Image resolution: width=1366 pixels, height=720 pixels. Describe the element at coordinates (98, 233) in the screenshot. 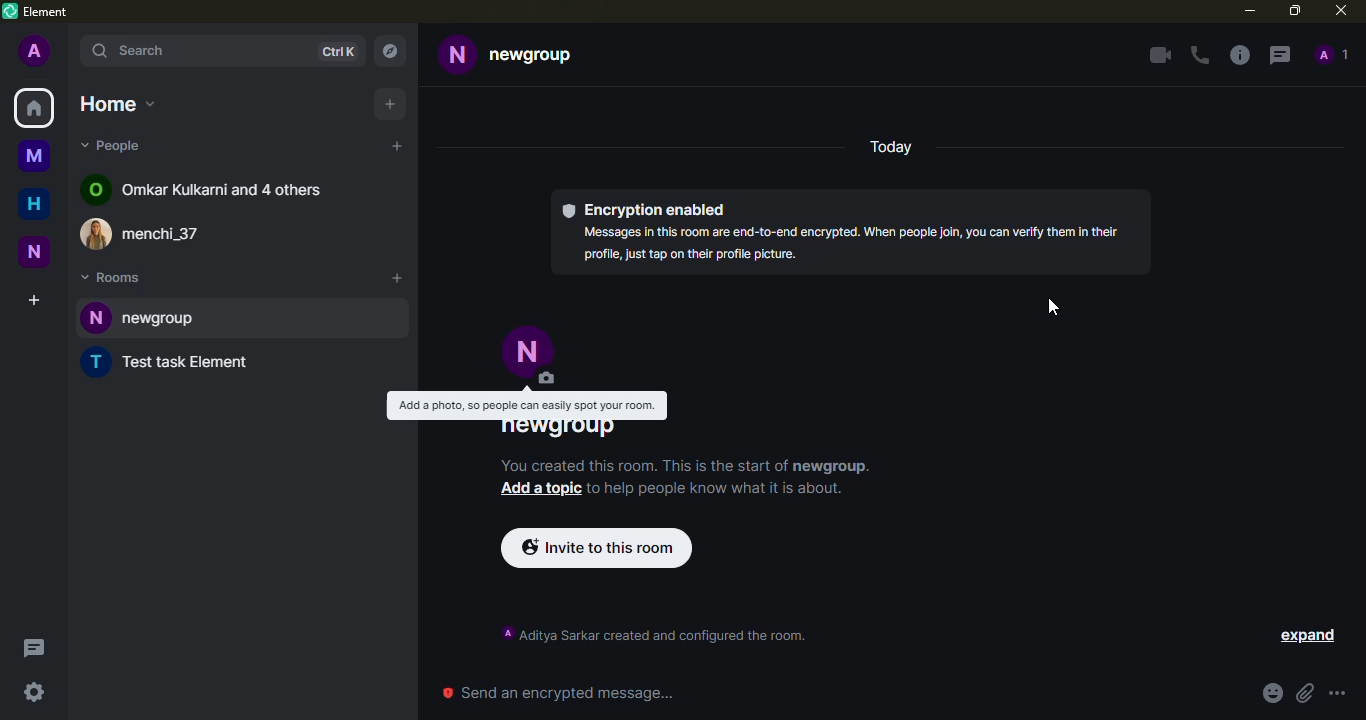

I see `Profile image` at that location.